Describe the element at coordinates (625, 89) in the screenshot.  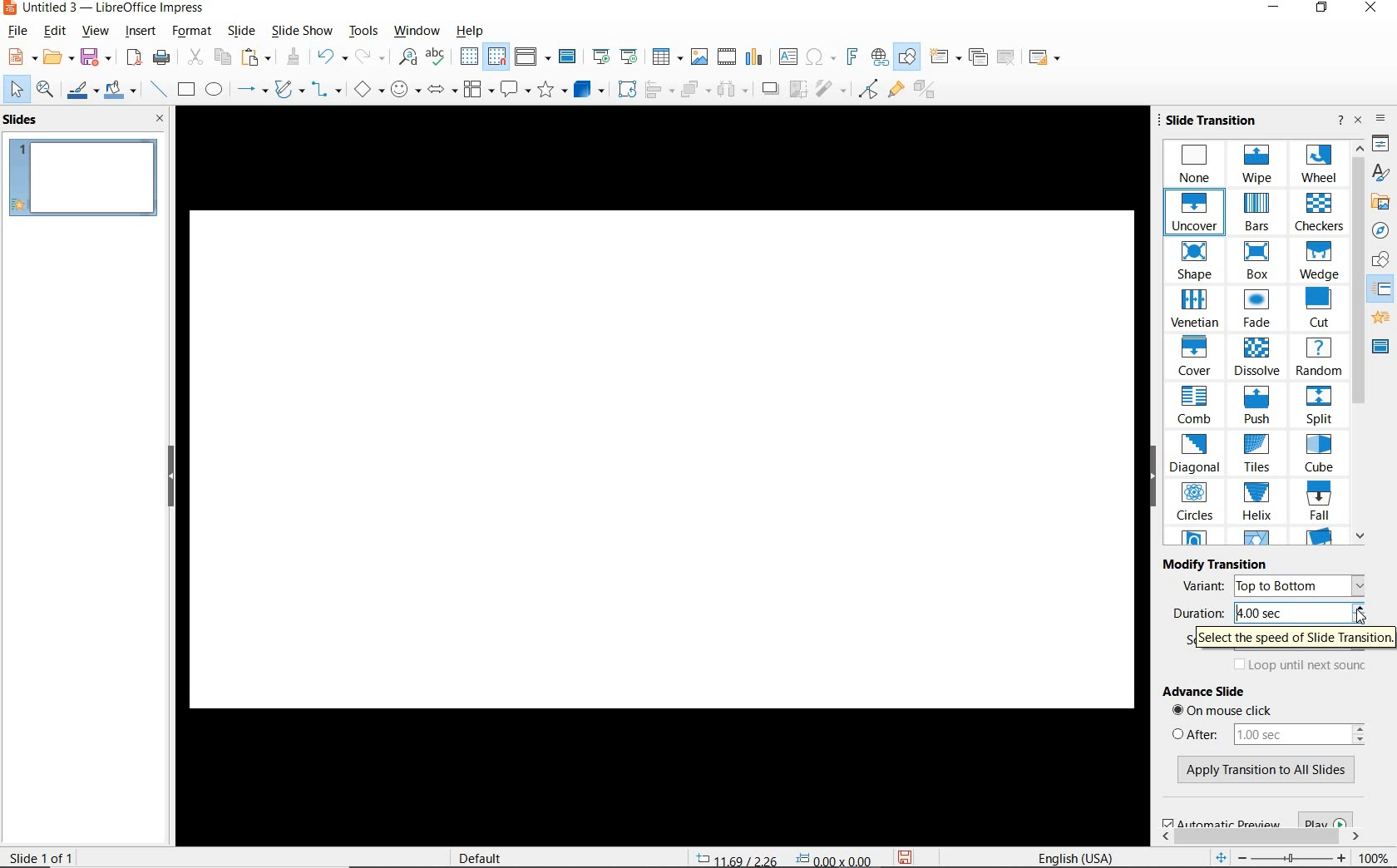
I see `ROTATE` at that location.